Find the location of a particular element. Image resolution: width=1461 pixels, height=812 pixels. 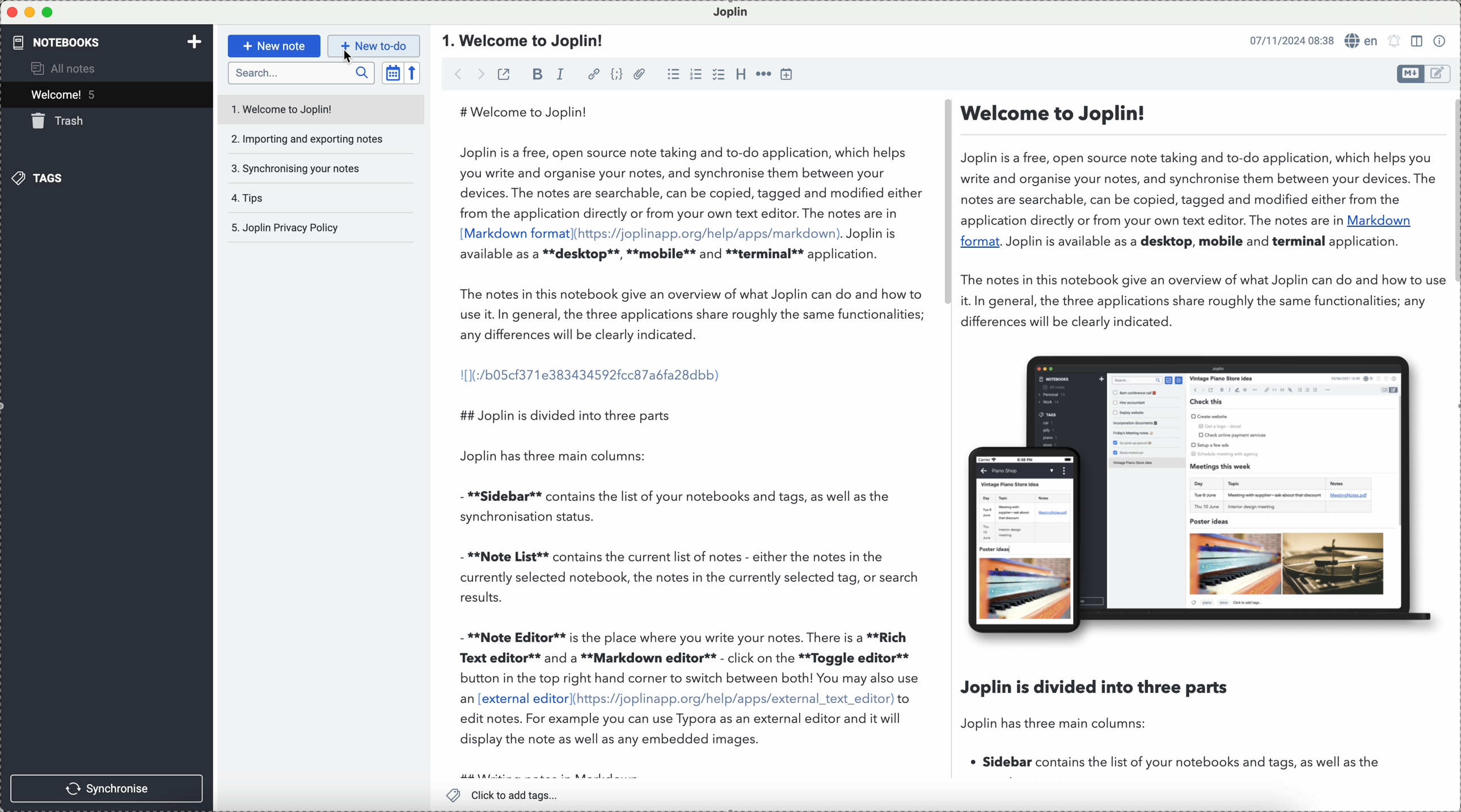

vertical scroll bar is located at coordinates (1451, 192).